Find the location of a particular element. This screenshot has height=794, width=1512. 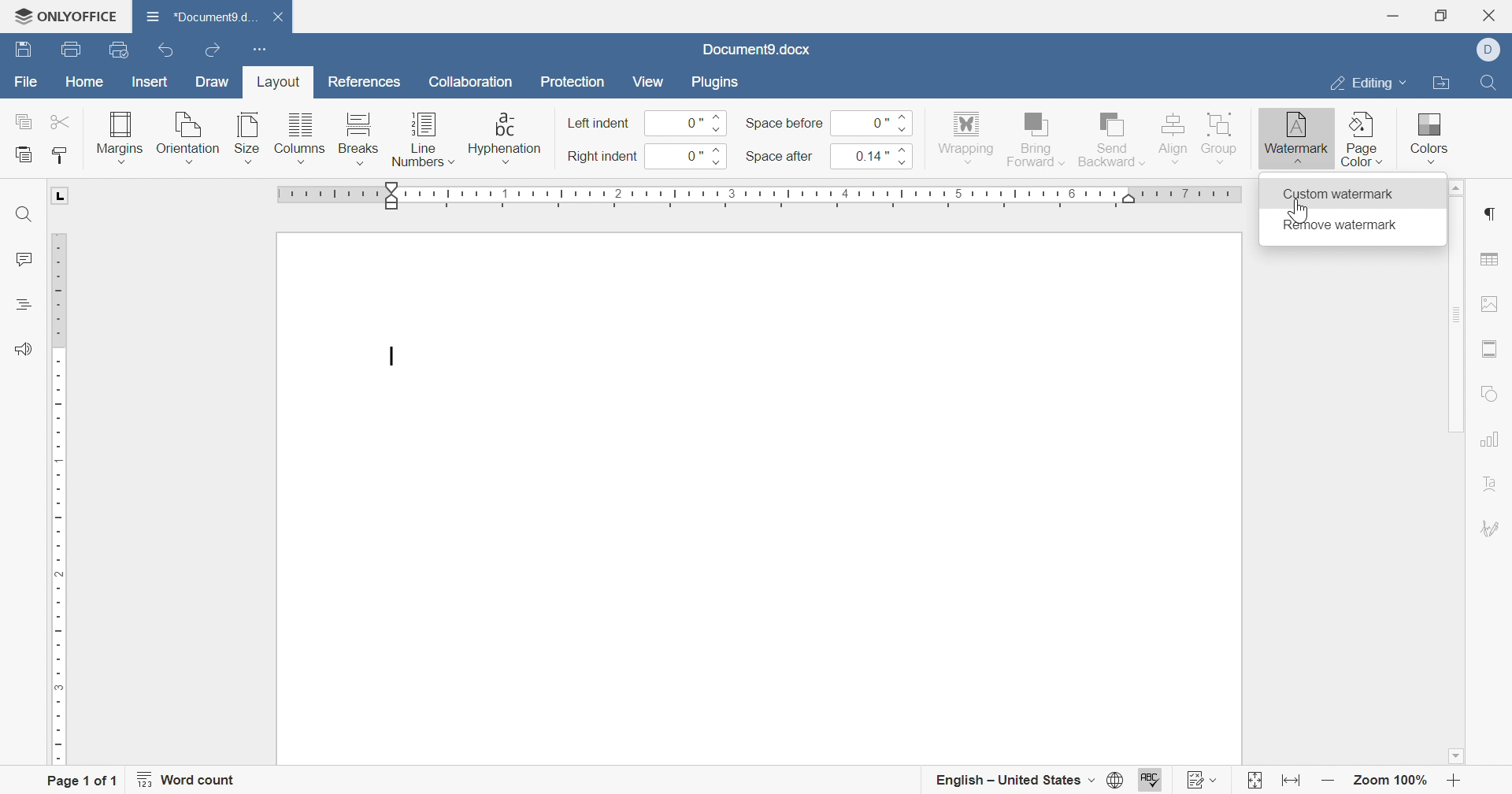

spell checking is located at coordinates (1152, 781).